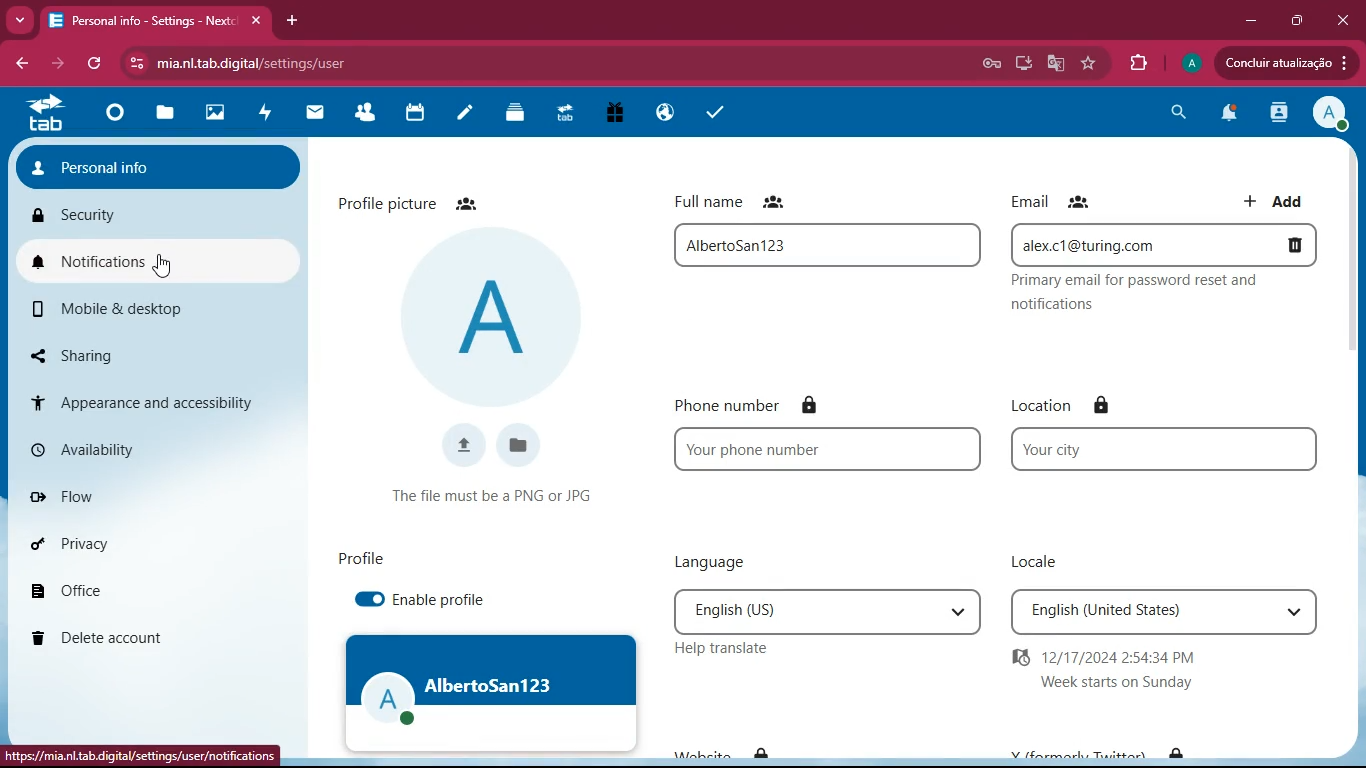 The height and width of the screenshot is (768, 1366). What do you see at coordinates (610, 115) in the screenshot?
I see `gift` at bounding box center [610, 115].